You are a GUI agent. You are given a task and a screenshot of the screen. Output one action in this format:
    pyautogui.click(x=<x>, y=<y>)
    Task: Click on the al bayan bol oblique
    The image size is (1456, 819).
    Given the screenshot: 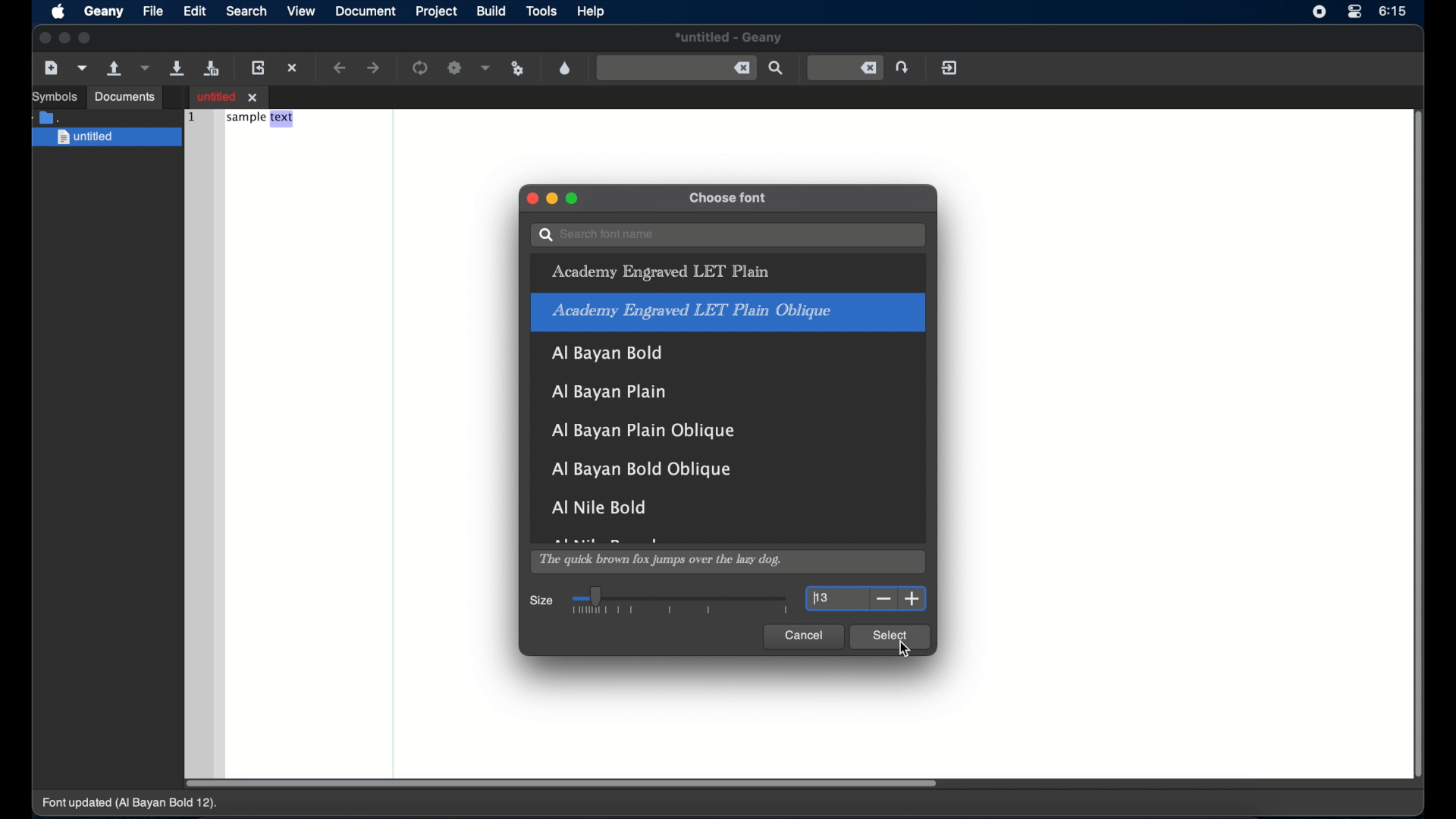 What is the action you would take?
    pyautogui.click(x=639, y=469)
    